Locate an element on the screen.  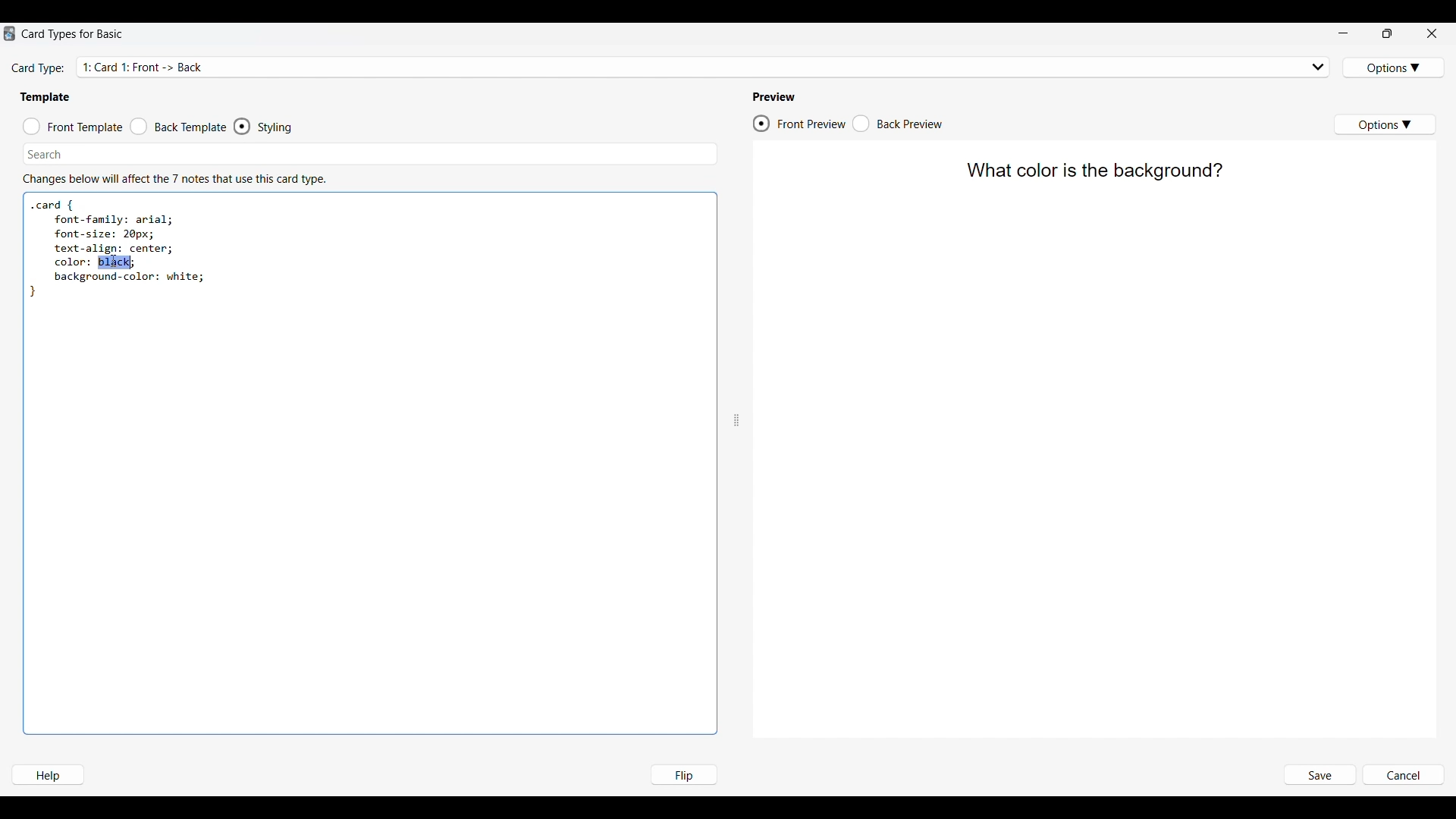
Preview front of card, current selection is located at coordinates (799, 124).